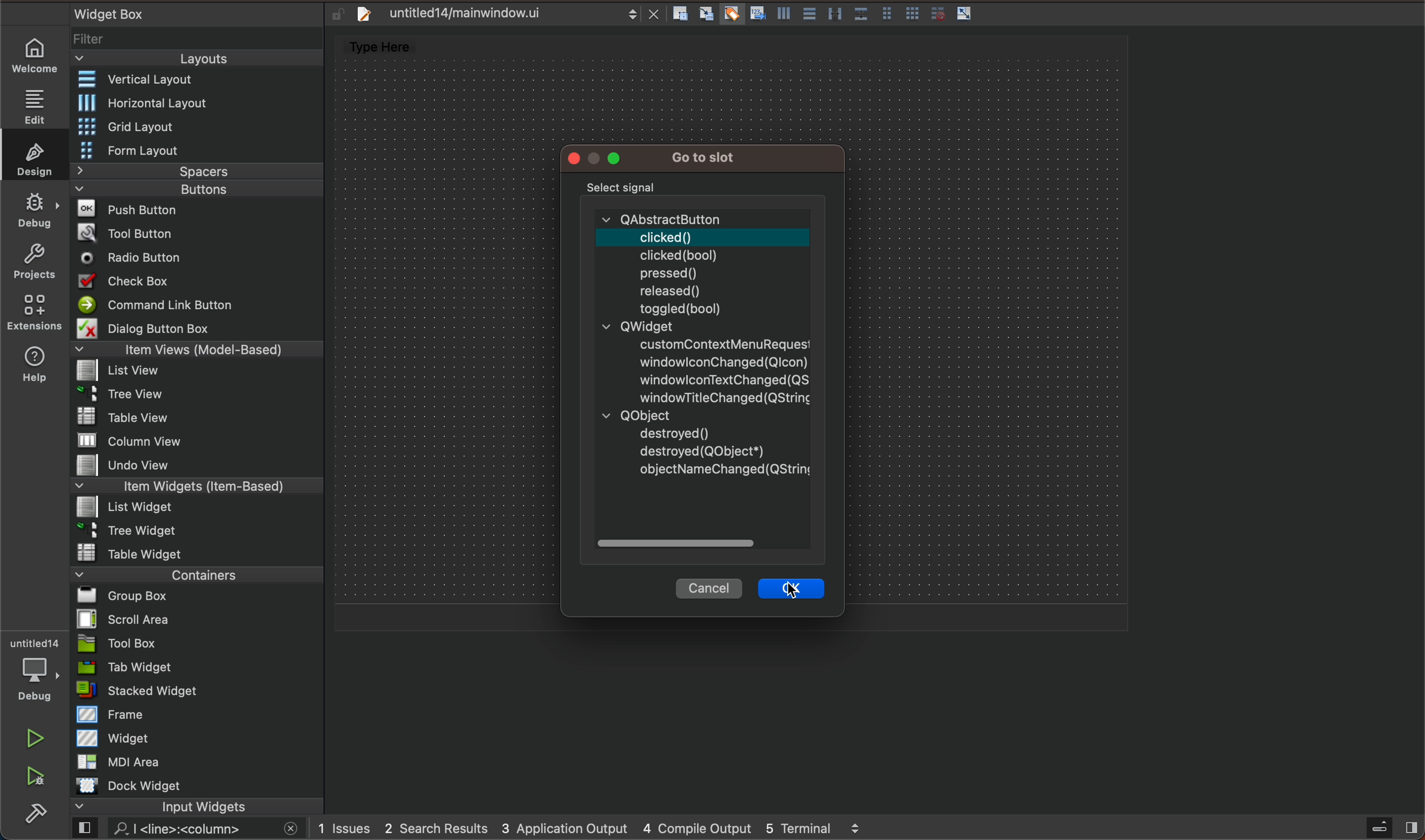 The height and width of the screenshot is (840, 1425). I want to click on tree view, so click(203, 396).